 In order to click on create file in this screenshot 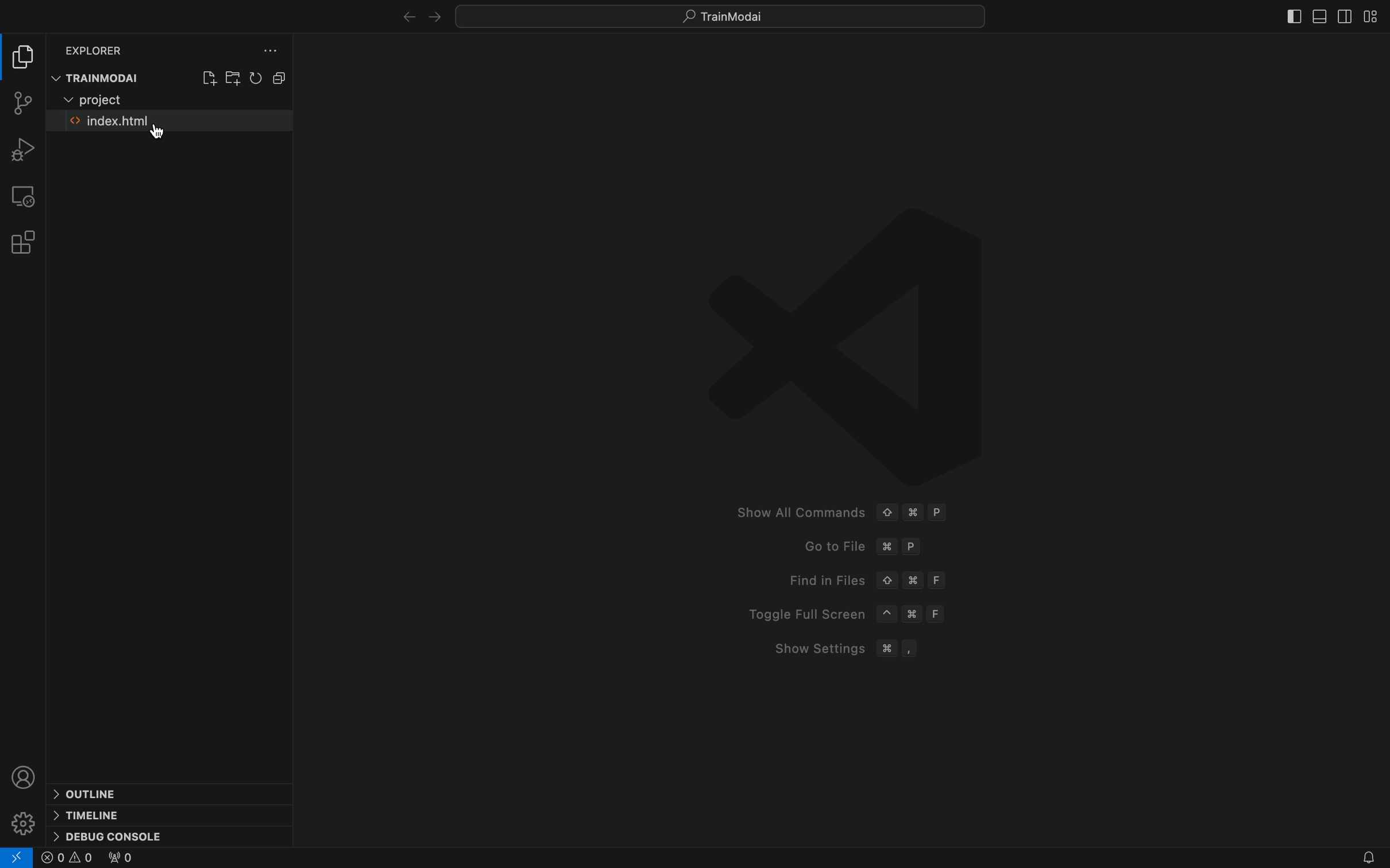, I will do `click(232, 79)`.